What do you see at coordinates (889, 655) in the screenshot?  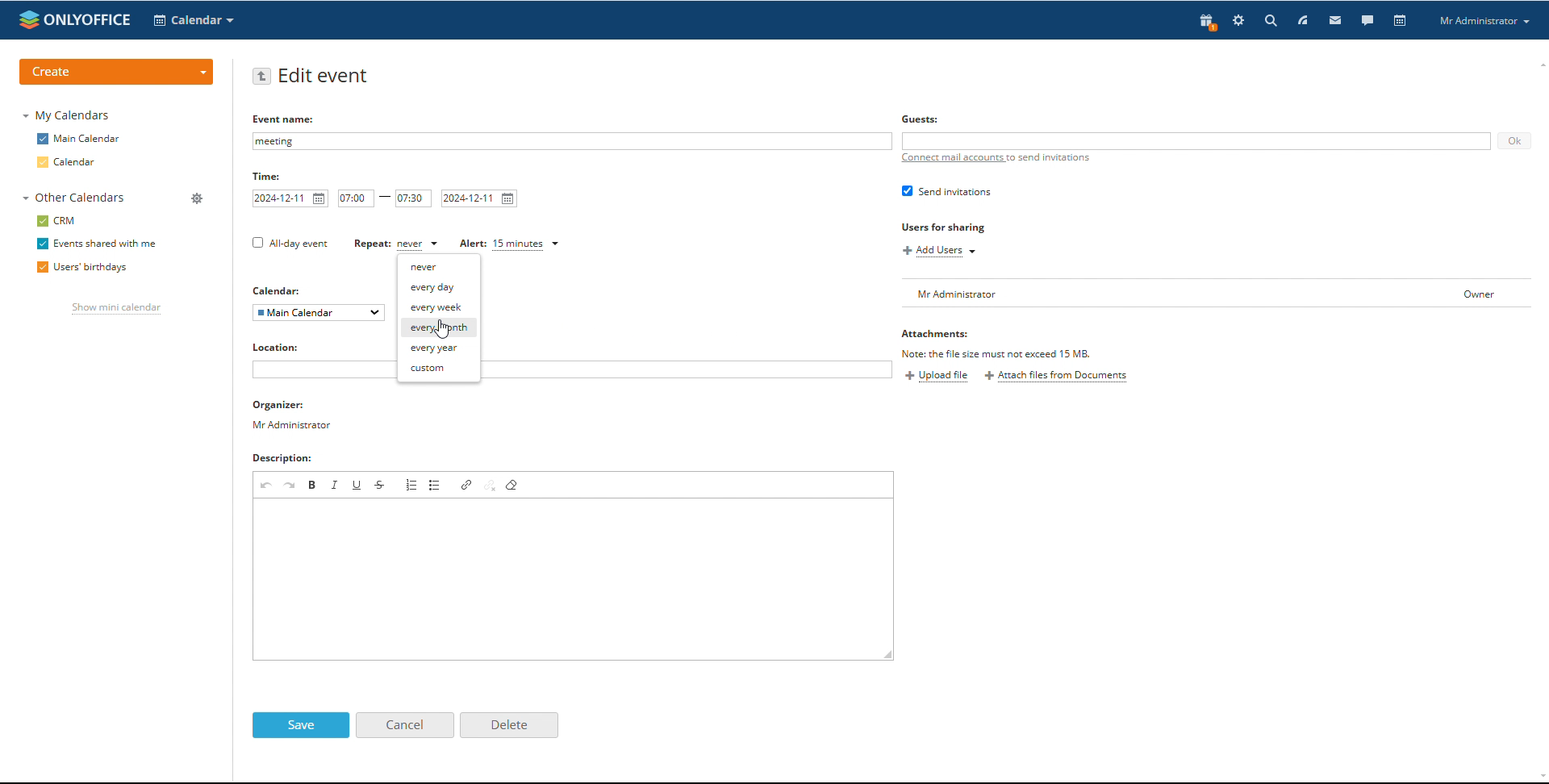 I see `resize` at bounding box center [889, 655].